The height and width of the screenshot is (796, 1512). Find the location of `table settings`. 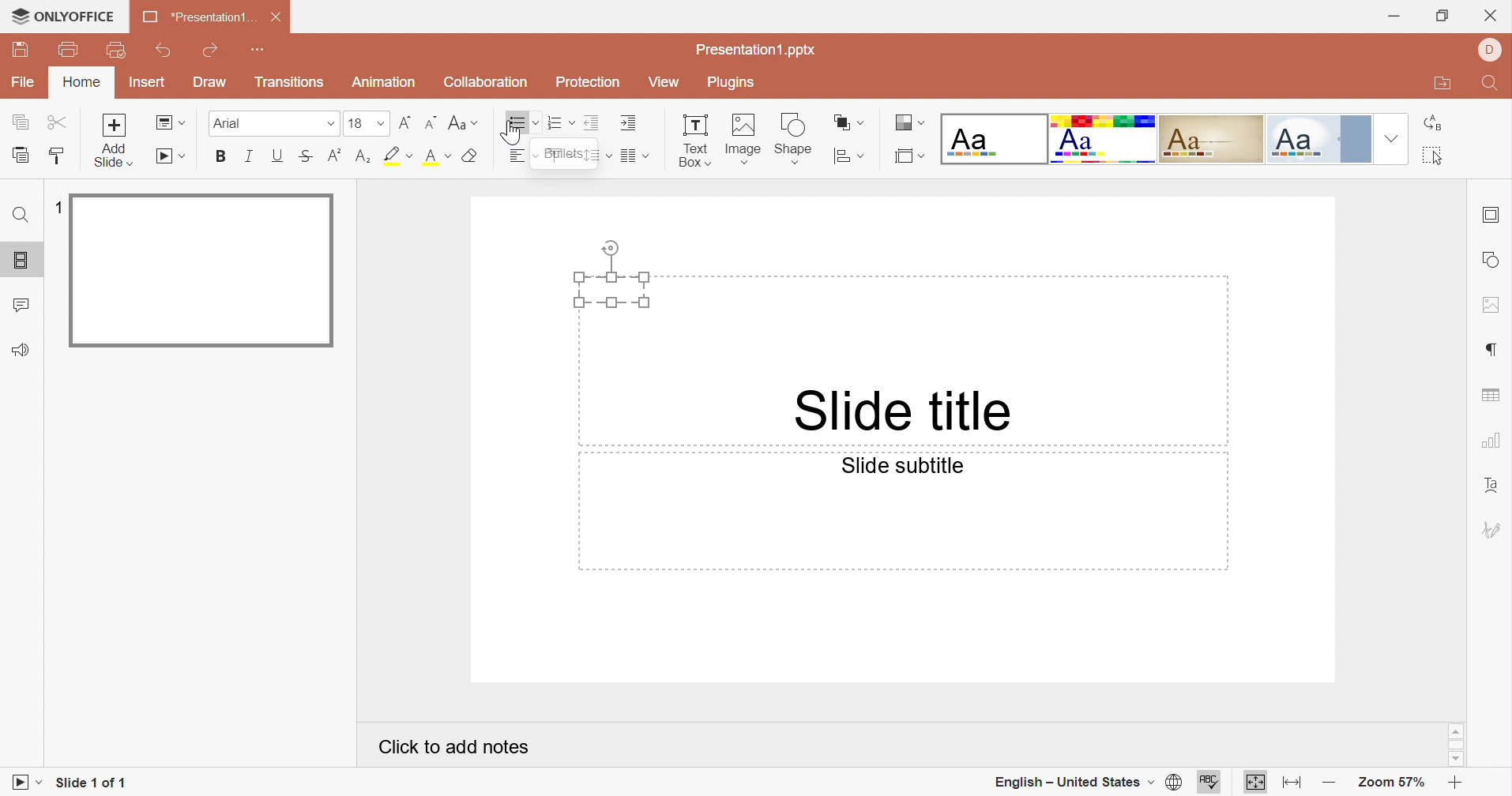

table settings is located at coordinates (1491, 396).